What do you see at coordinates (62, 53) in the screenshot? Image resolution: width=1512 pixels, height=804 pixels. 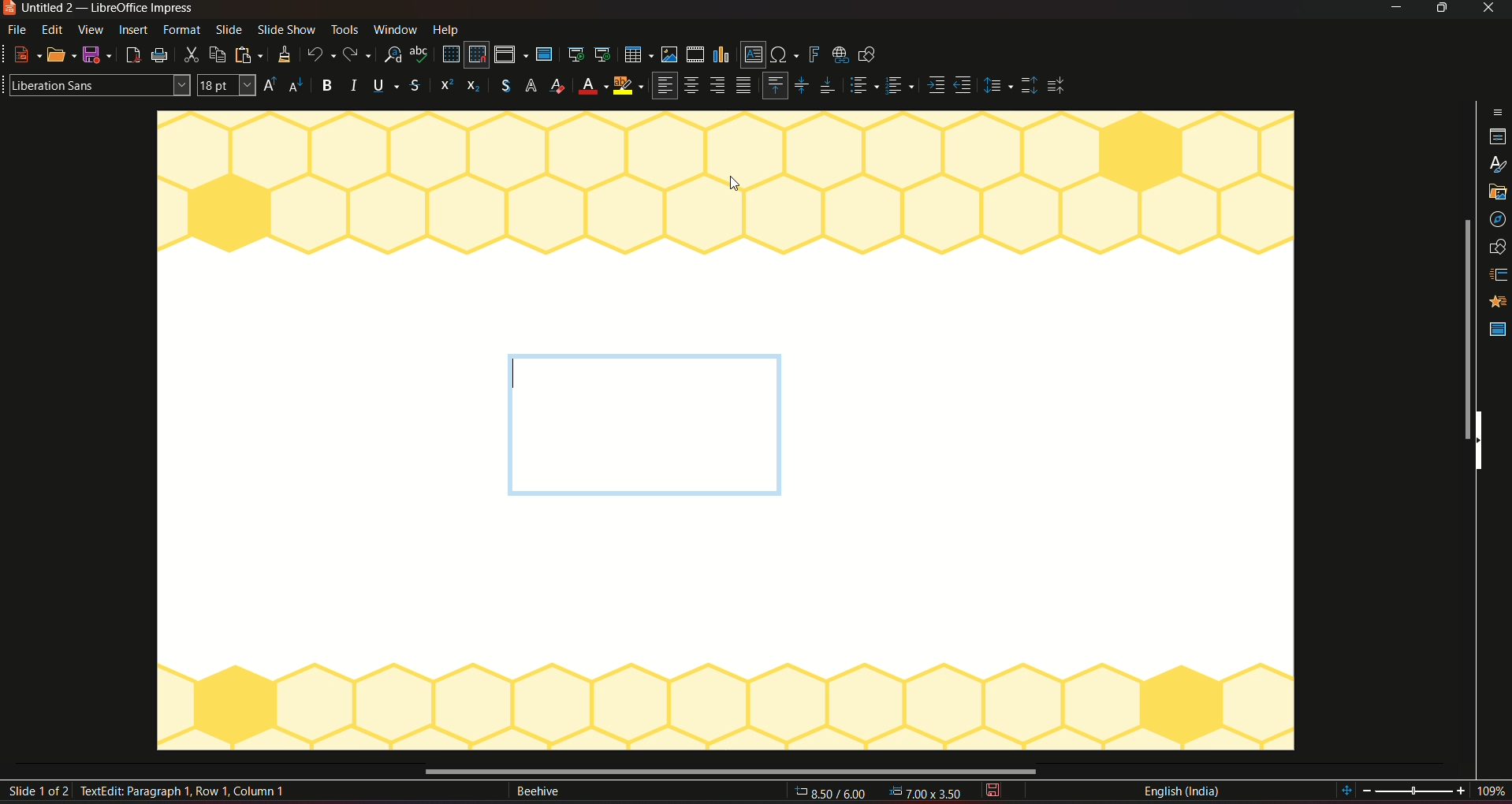 I see `open` at bounding box center [62, 53].